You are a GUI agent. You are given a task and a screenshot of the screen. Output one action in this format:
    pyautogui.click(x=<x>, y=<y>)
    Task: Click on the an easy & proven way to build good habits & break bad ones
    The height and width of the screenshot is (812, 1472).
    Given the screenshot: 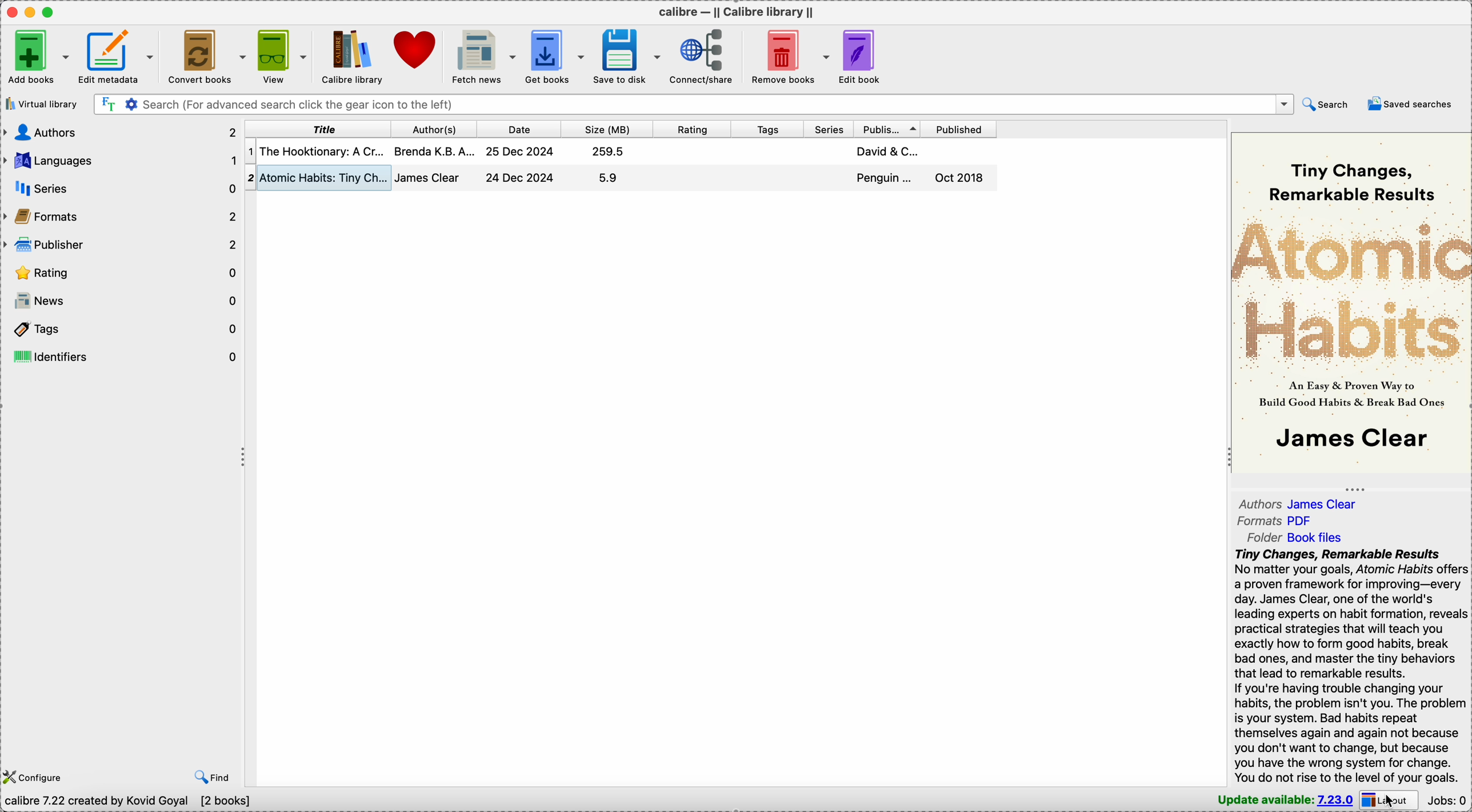 What is the action you would take?
    pyautogui.click(x=1353, y=393)
    